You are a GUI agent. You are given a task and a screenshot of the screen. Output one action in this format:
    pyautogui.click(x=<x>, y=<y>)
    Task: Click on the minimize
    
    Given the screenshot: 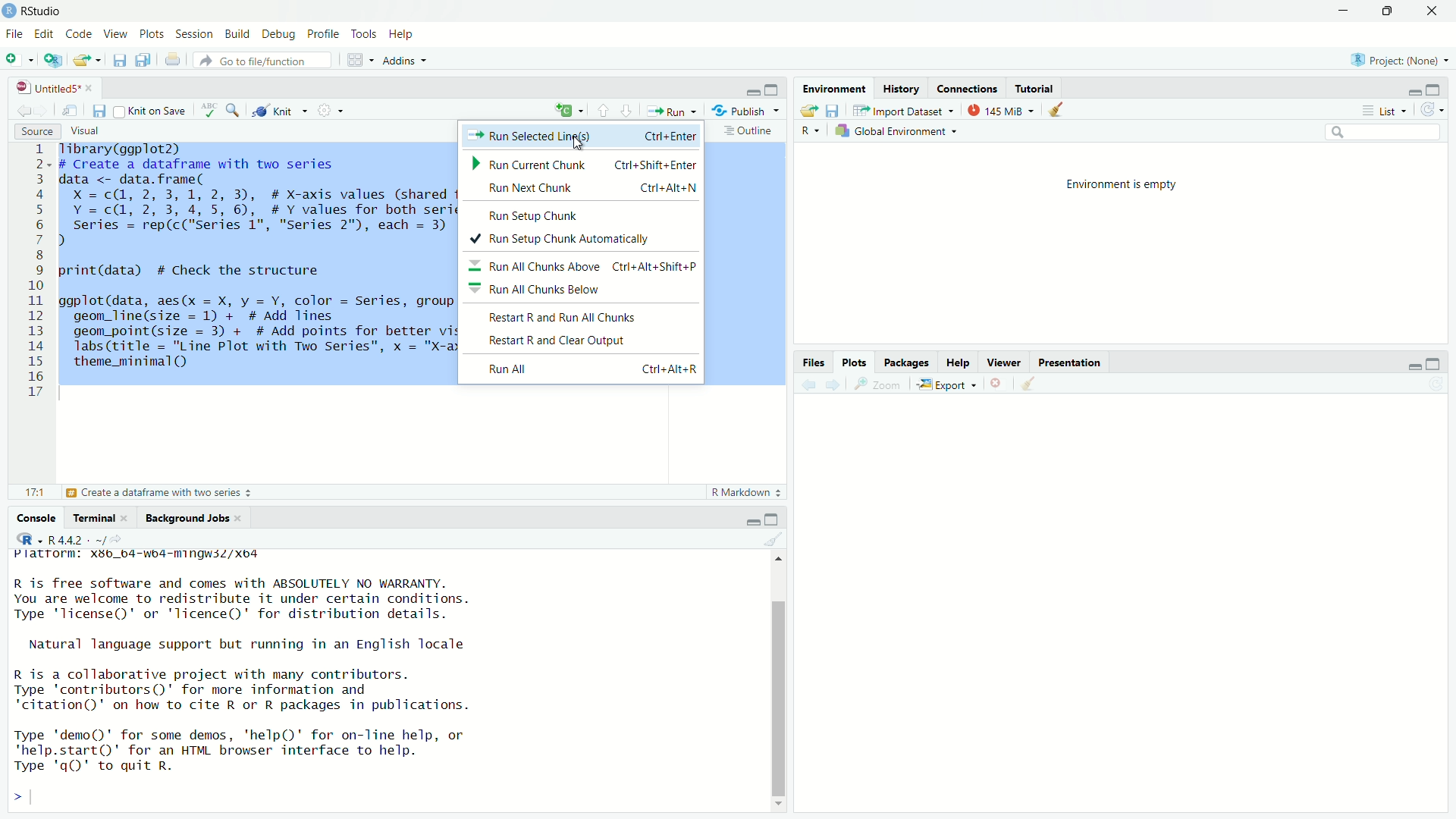 What is the action you would take?
    pyautogui.click(x=752, y=519)
    